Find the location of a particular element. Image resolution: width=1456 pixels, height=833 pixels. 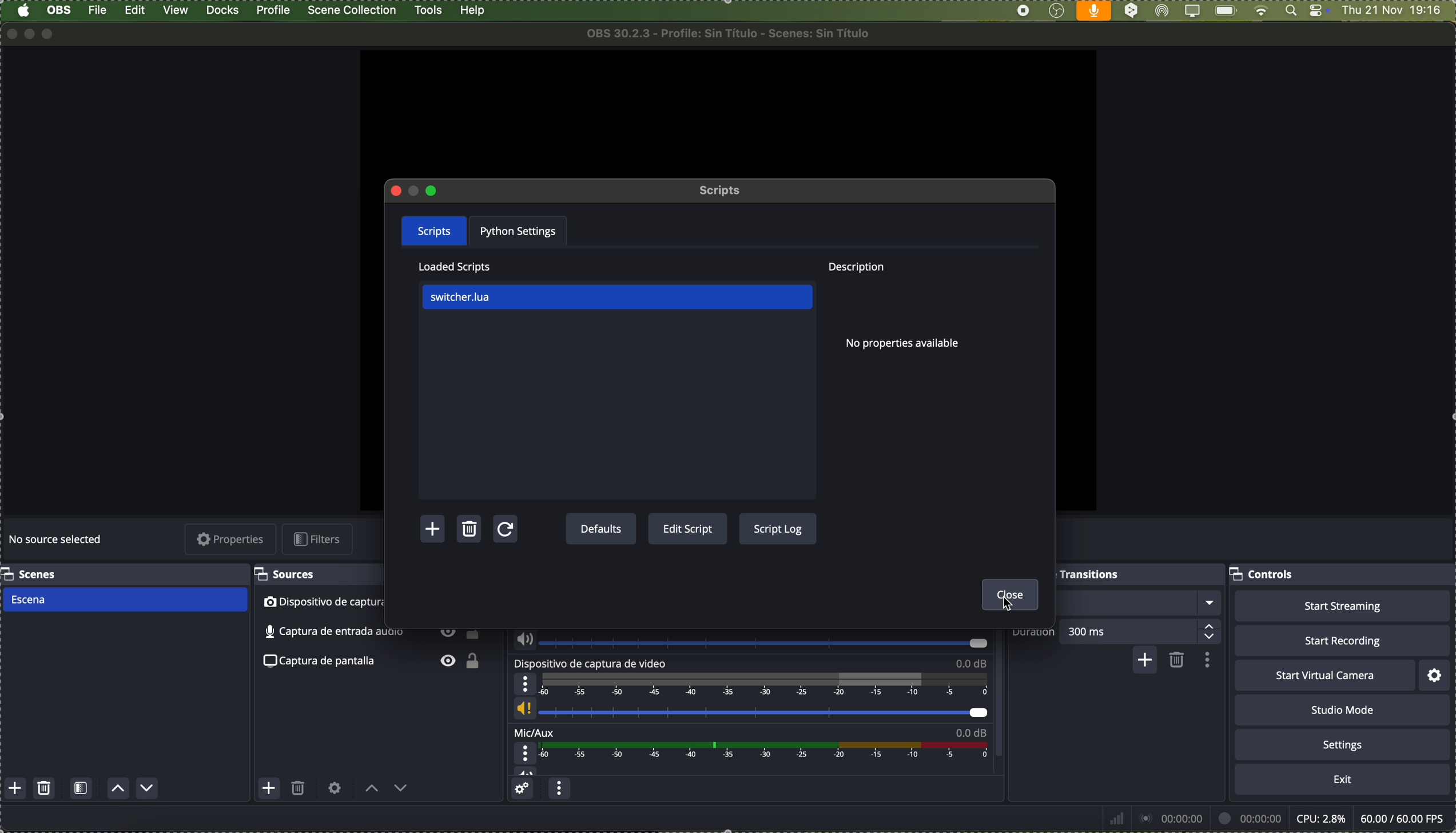

scene transitions is located at coordinates (1089, 574).